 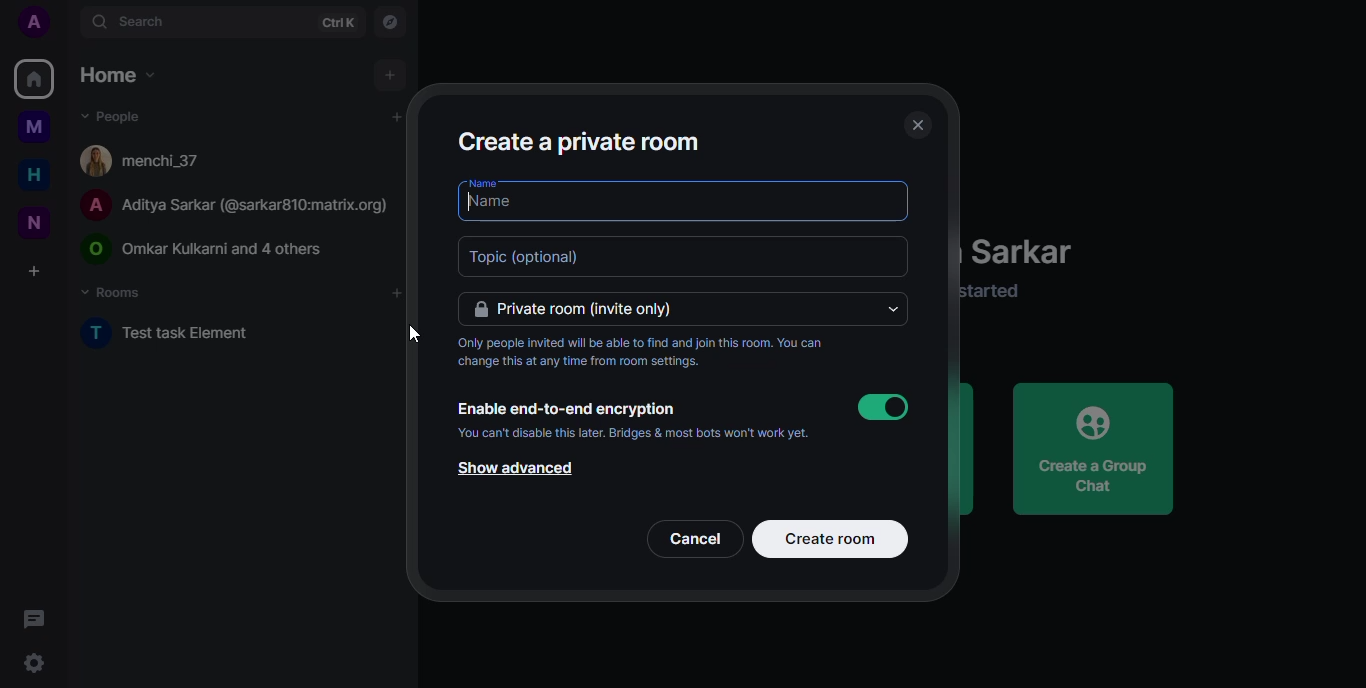 I want to click on name, so click(x=500, y=202).